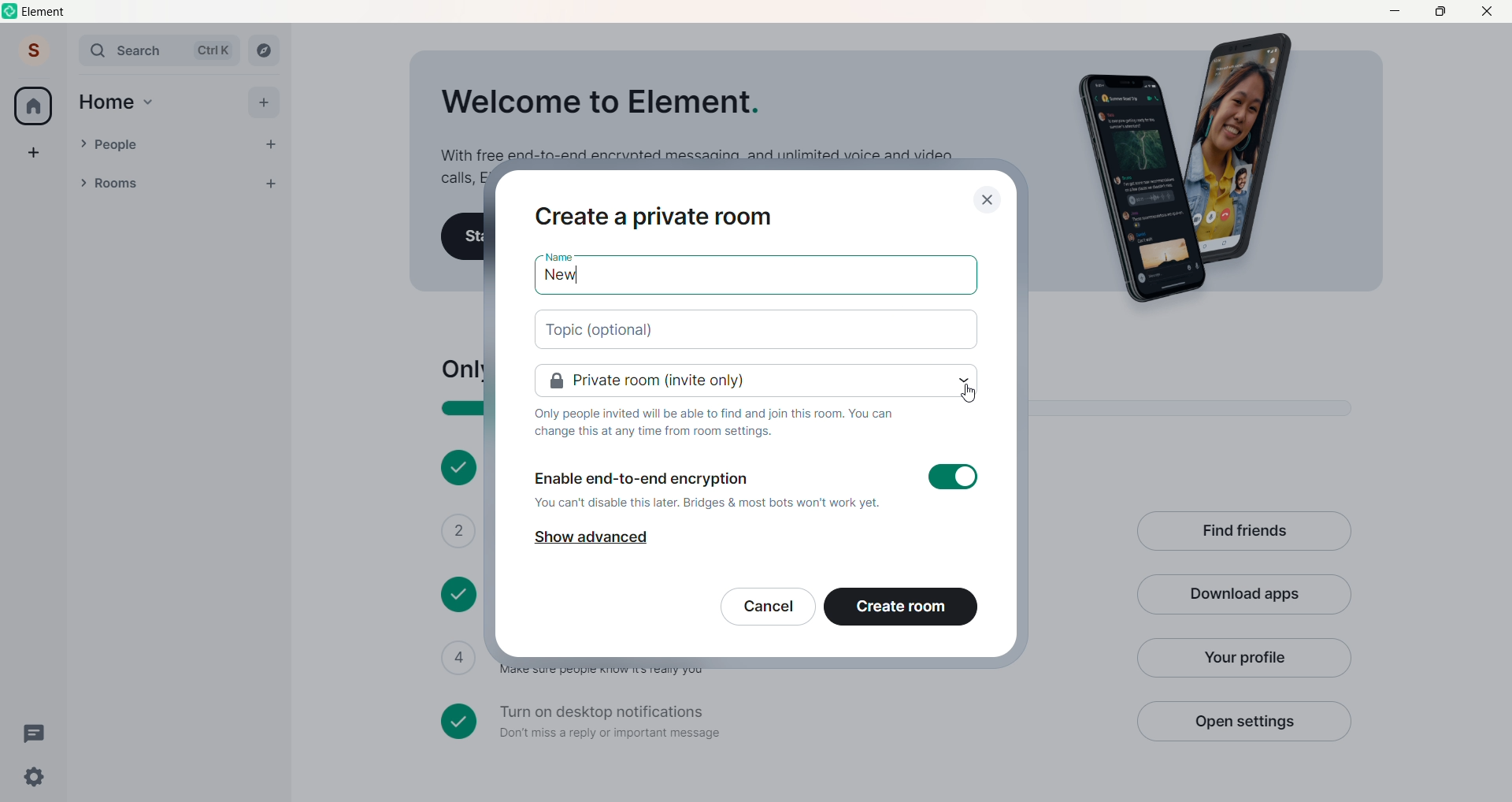  Describe the element at coordinates (158, 184) in the screenshot. I see `Rooms` at that location.